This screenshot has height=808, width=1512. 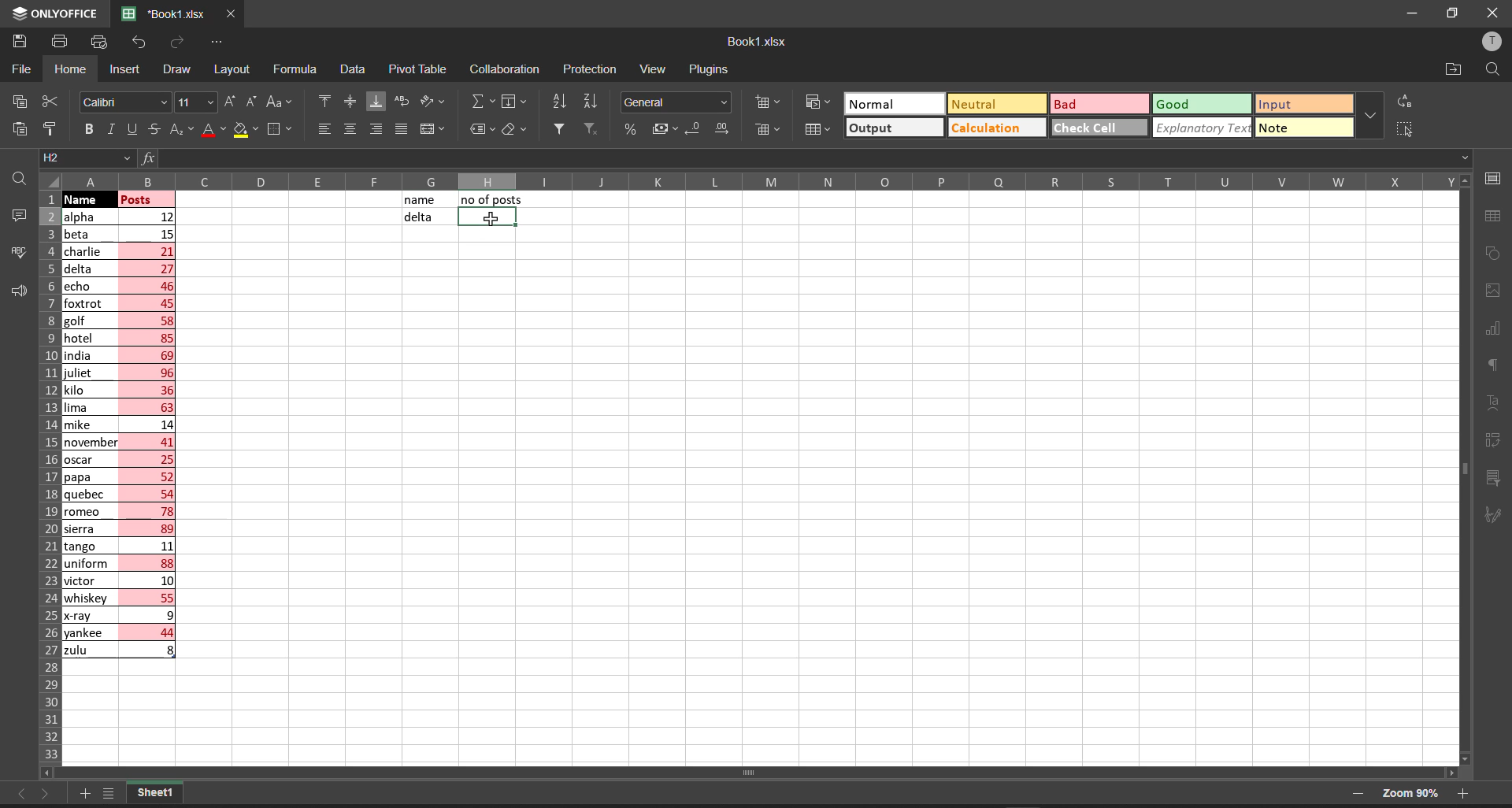 What do you see at coordinates (993, 128) in the screenshot?
I see `calculation` at bounding box center [993, 128].